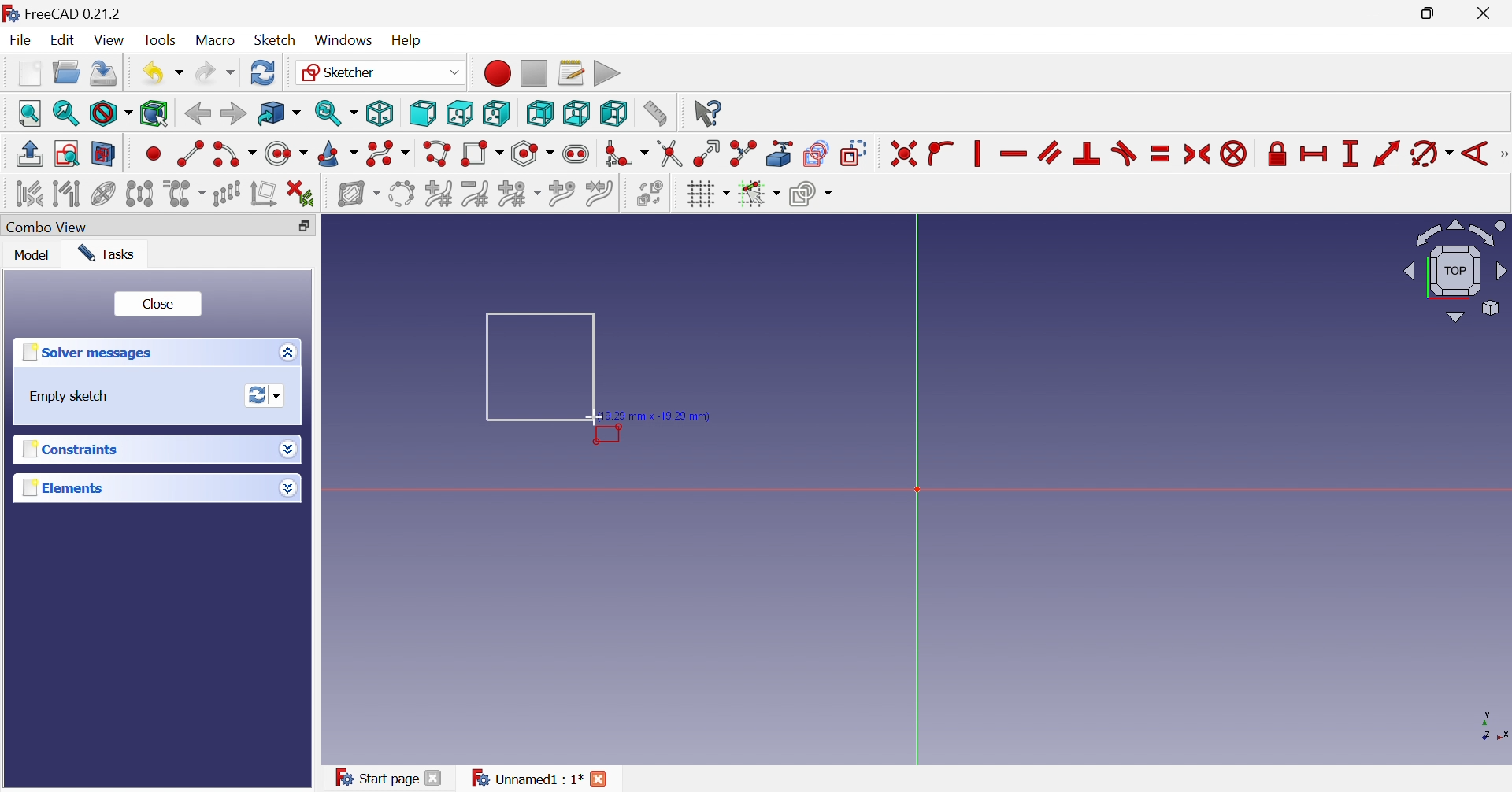  Describe the element at coordinates (1432, 154) in the screenshot. I see `Constrain arc or angle` at that location.